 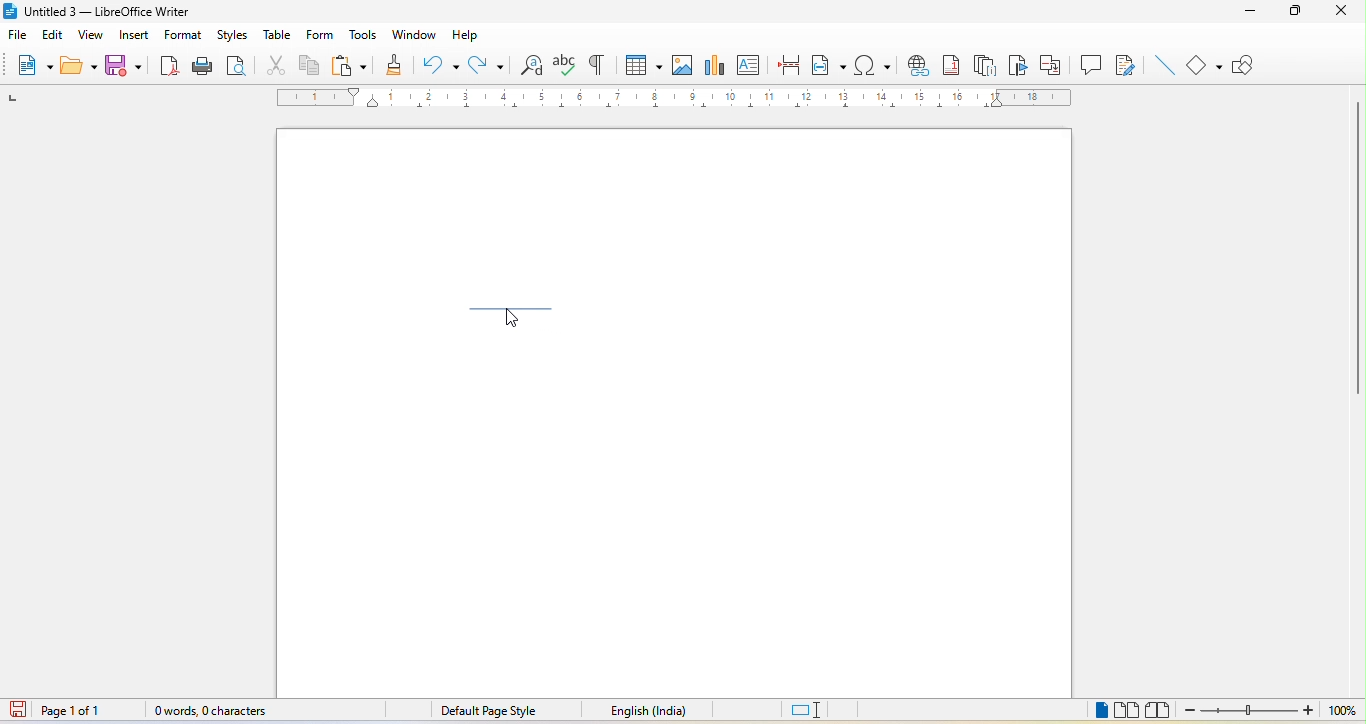 What do you see at coordinates (680, 63) in the screenshot?
I see `image` at bounding box center [680, 63].